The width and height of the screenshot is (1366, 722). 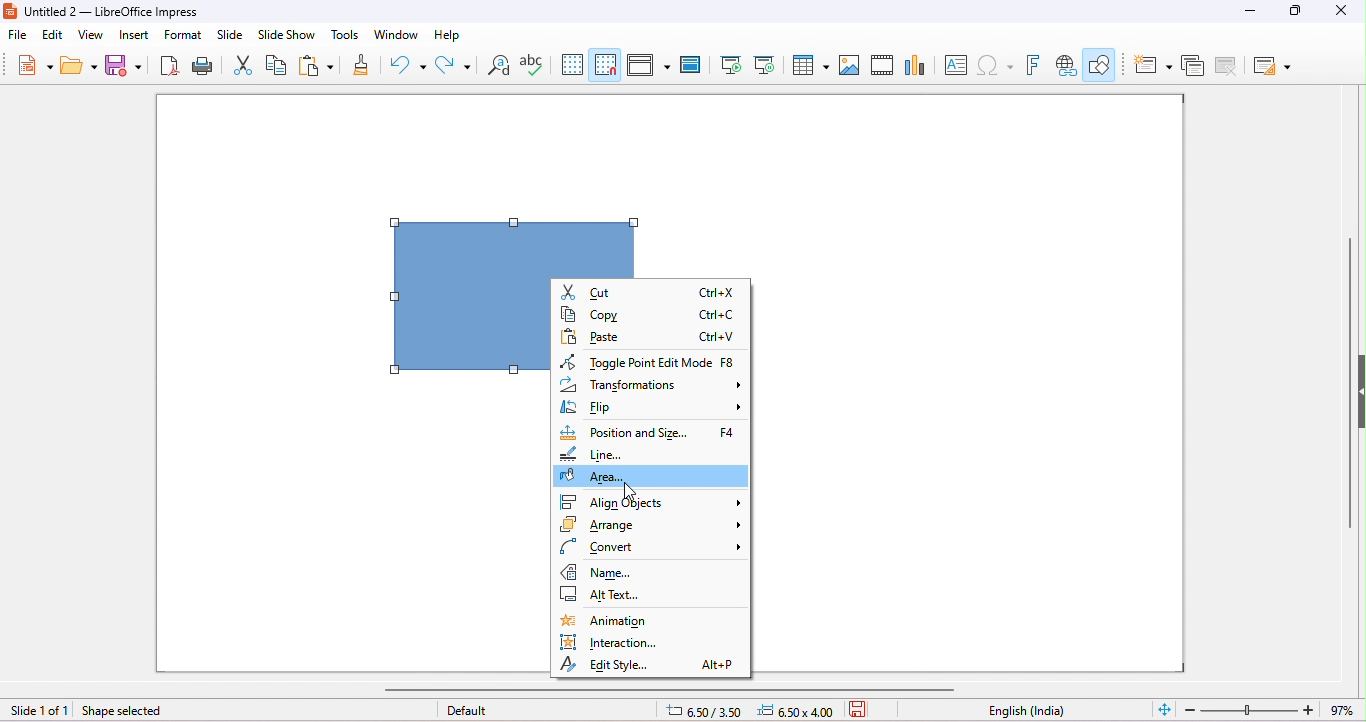 I want to click on minimize, so click(x=1251, y=11).